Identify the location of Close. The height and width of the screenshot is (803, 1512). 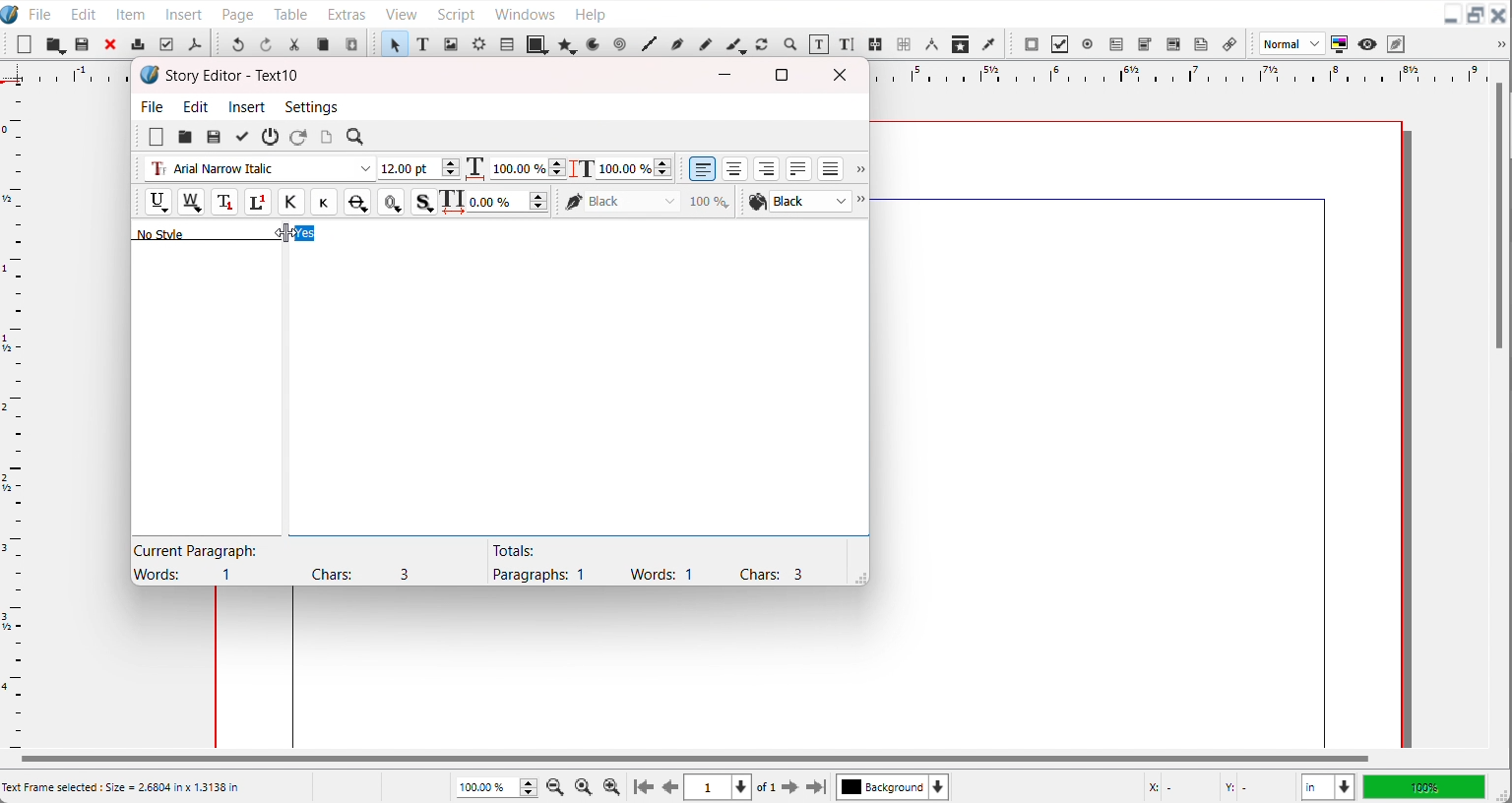
(1499, 16).